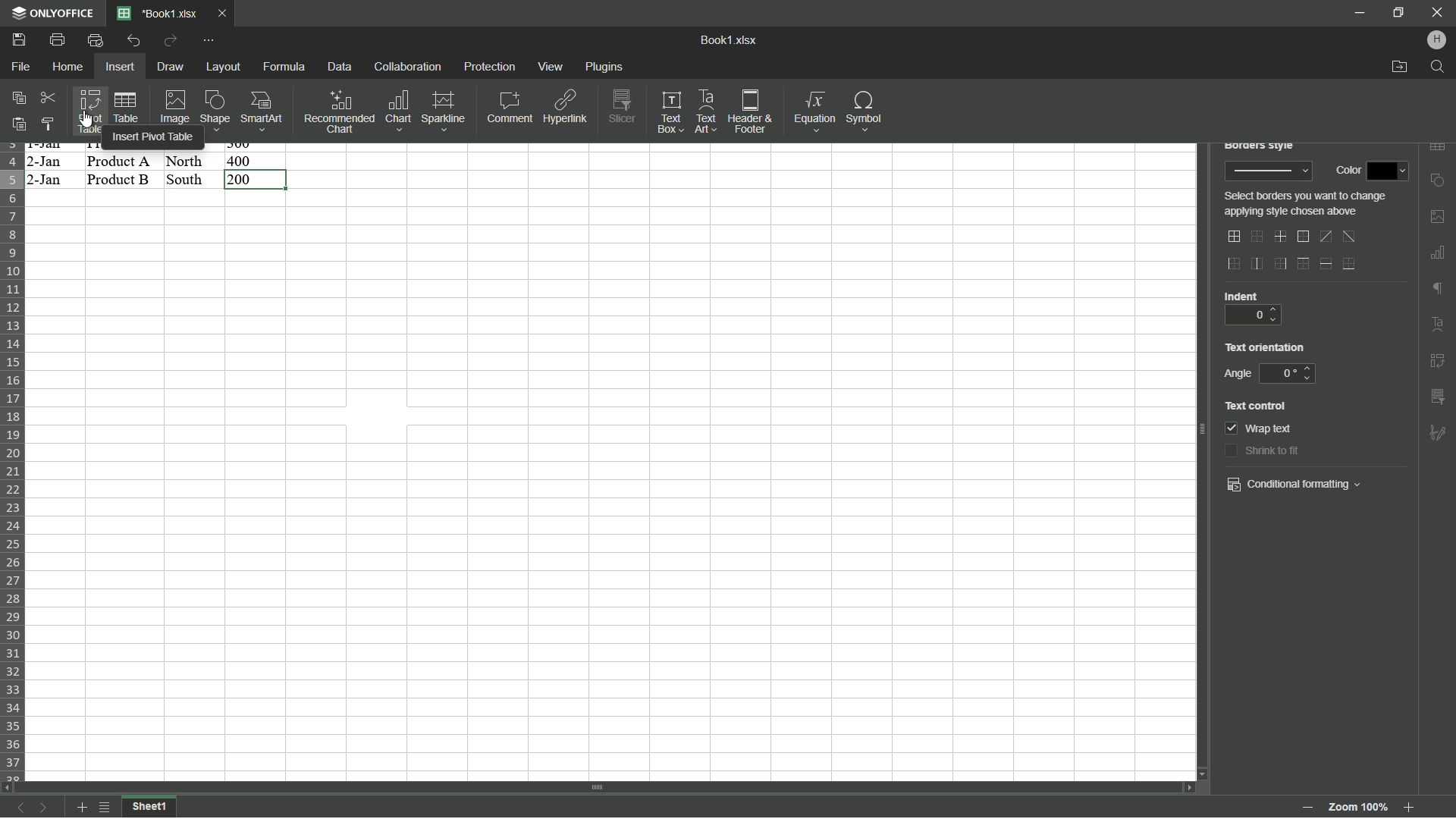 Image resolution: width=1456 pixels, height=819 pixels. I want to click on app name, so click(52, 14).